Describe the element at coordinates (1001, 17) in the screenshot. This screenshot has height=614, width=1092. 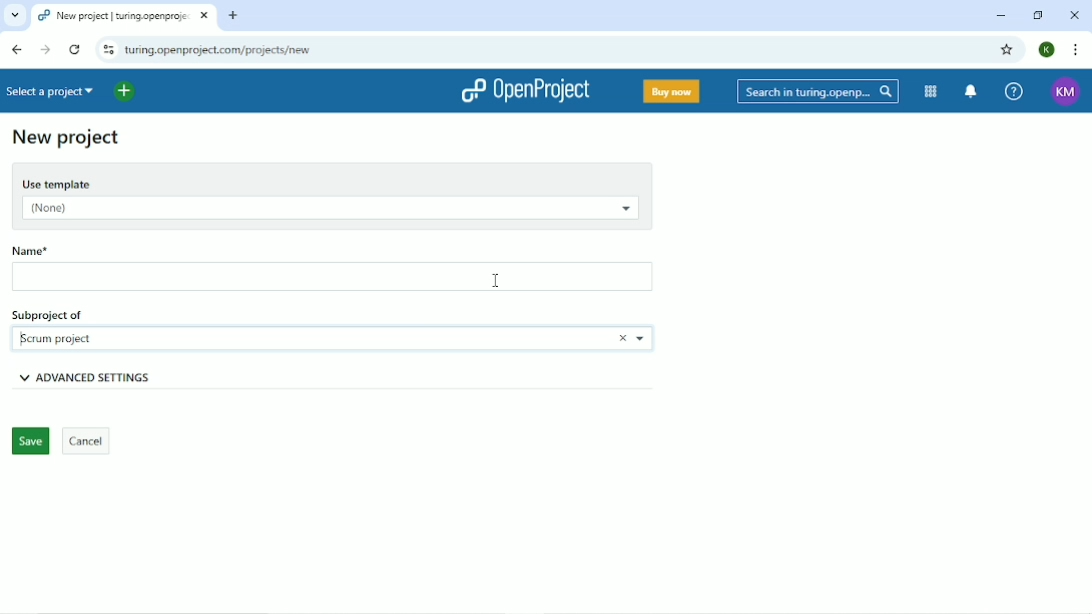
I see `Minimize` at that location.